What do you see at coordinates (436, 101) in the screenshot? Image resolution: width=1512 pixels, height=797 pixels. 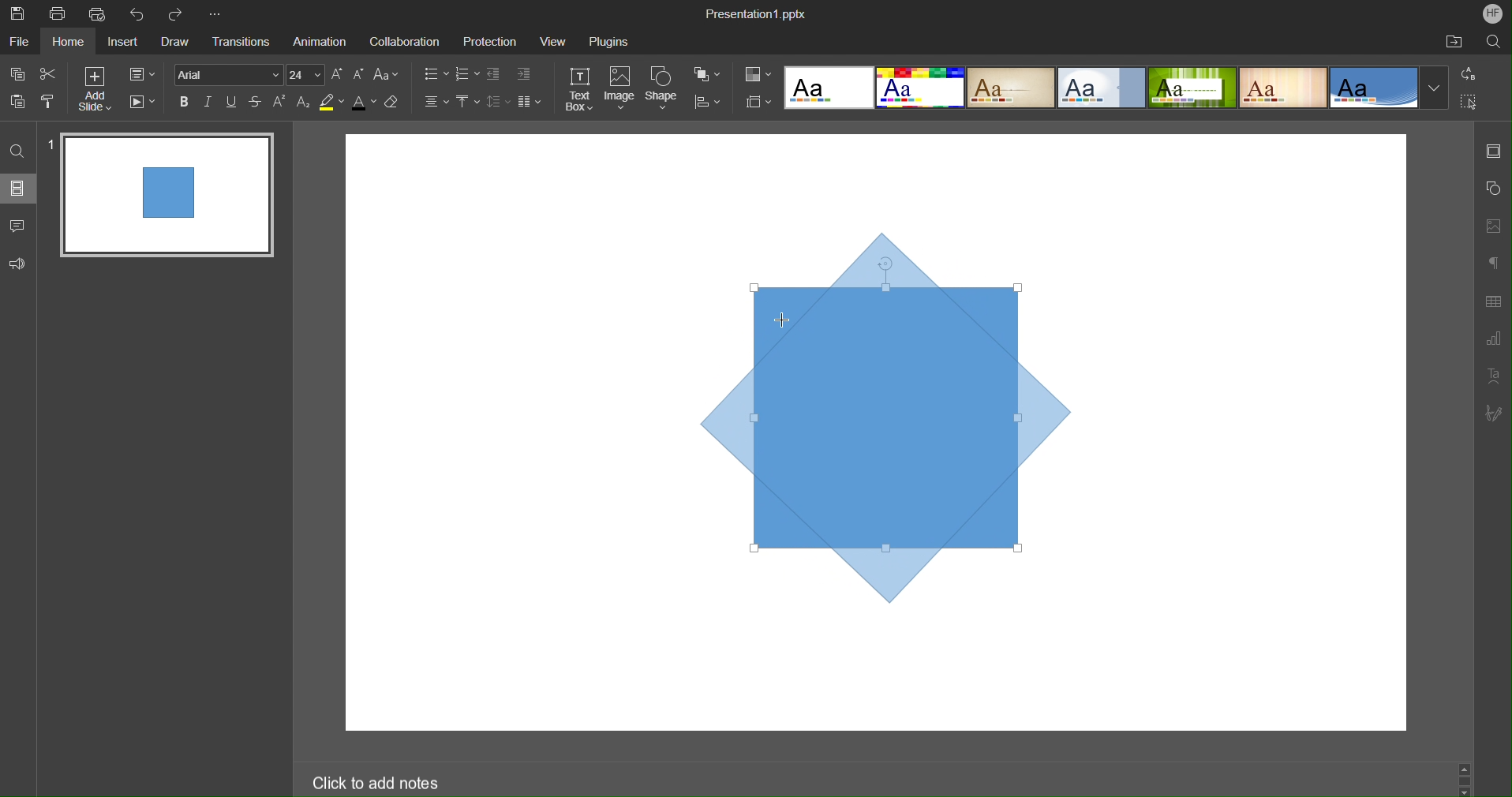 I see `Alignment` at bounding box center [436, 101].